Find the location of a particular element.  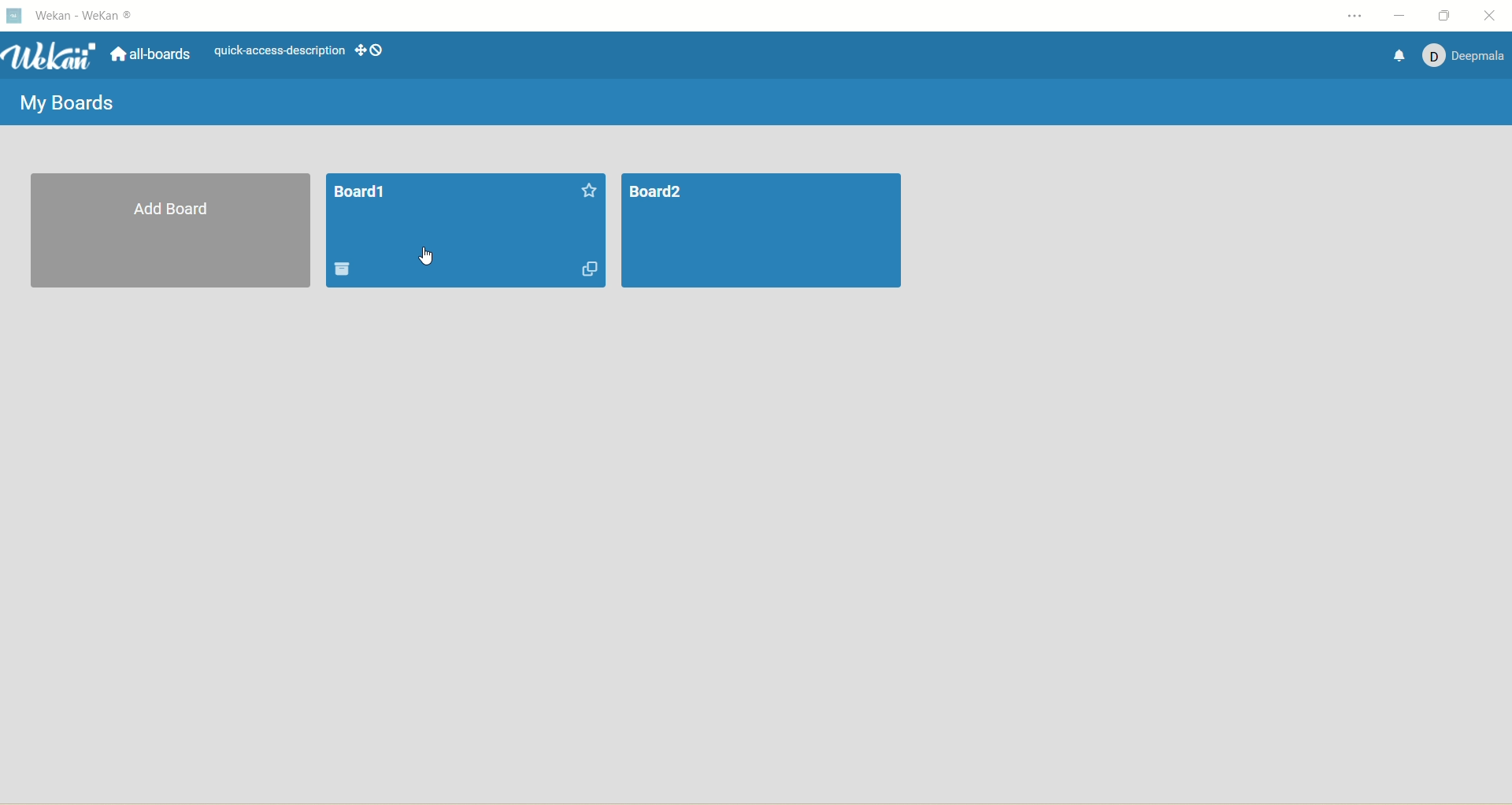

favorite is located at coordinates (588, 191).